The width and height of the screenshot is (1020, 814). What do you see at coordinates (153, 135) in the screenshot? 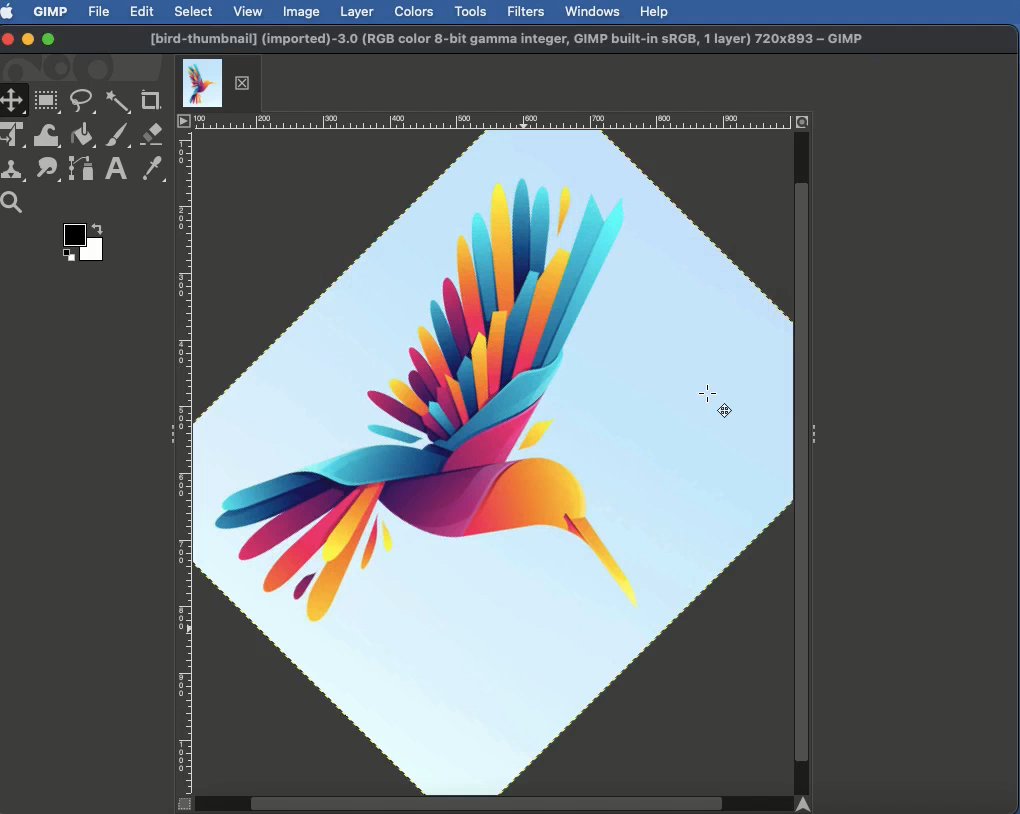
I see `Eraser` at bounding box center [153, 135].